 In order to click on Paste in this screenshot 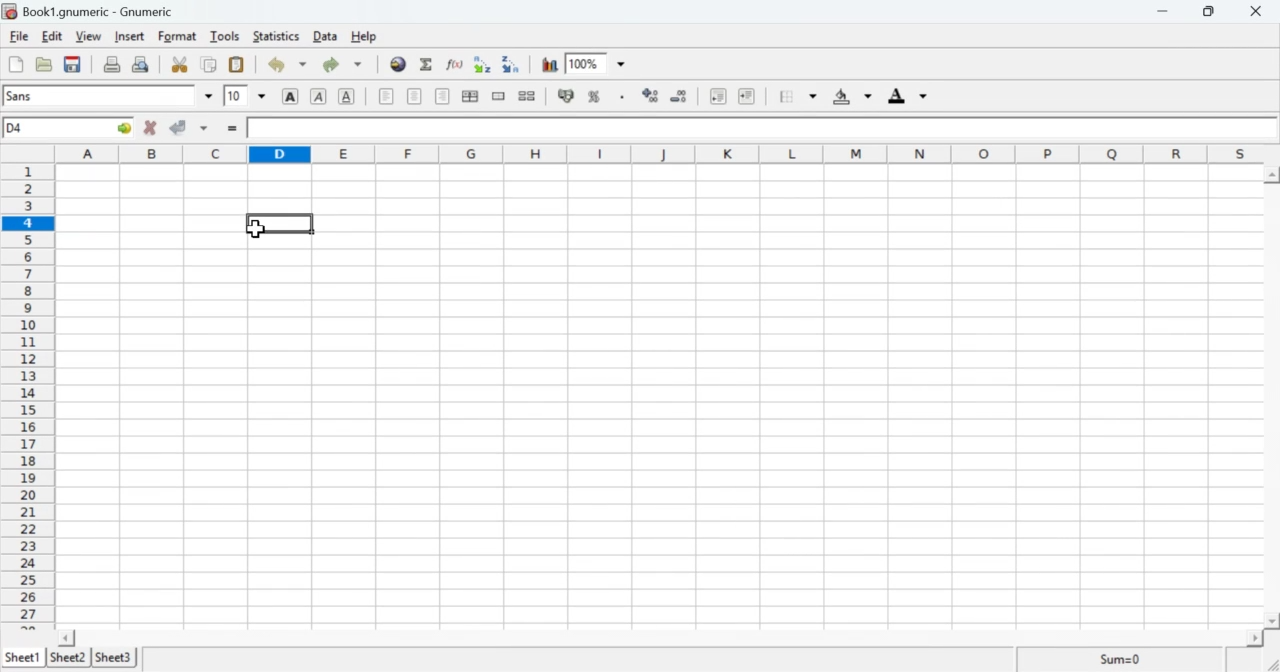, I will do `click(236, 65)`.